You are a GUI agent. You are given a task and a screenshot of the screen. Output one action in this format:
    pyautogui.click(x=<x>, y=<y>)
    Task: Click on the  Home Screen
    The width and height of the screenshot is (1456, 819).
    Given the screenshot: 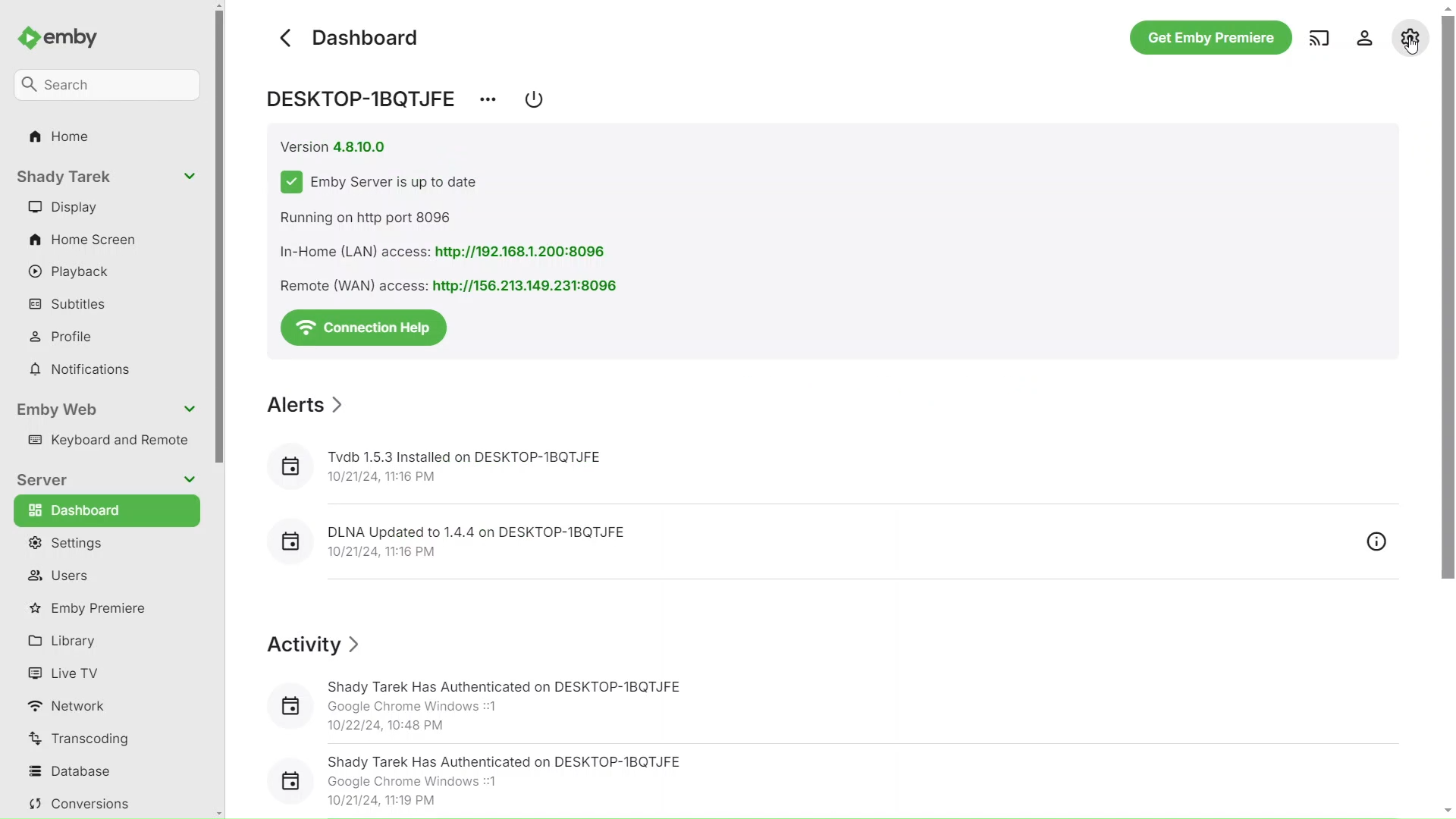 What is the action you would take?
    pyautogui.click(x=88, y=237)
    